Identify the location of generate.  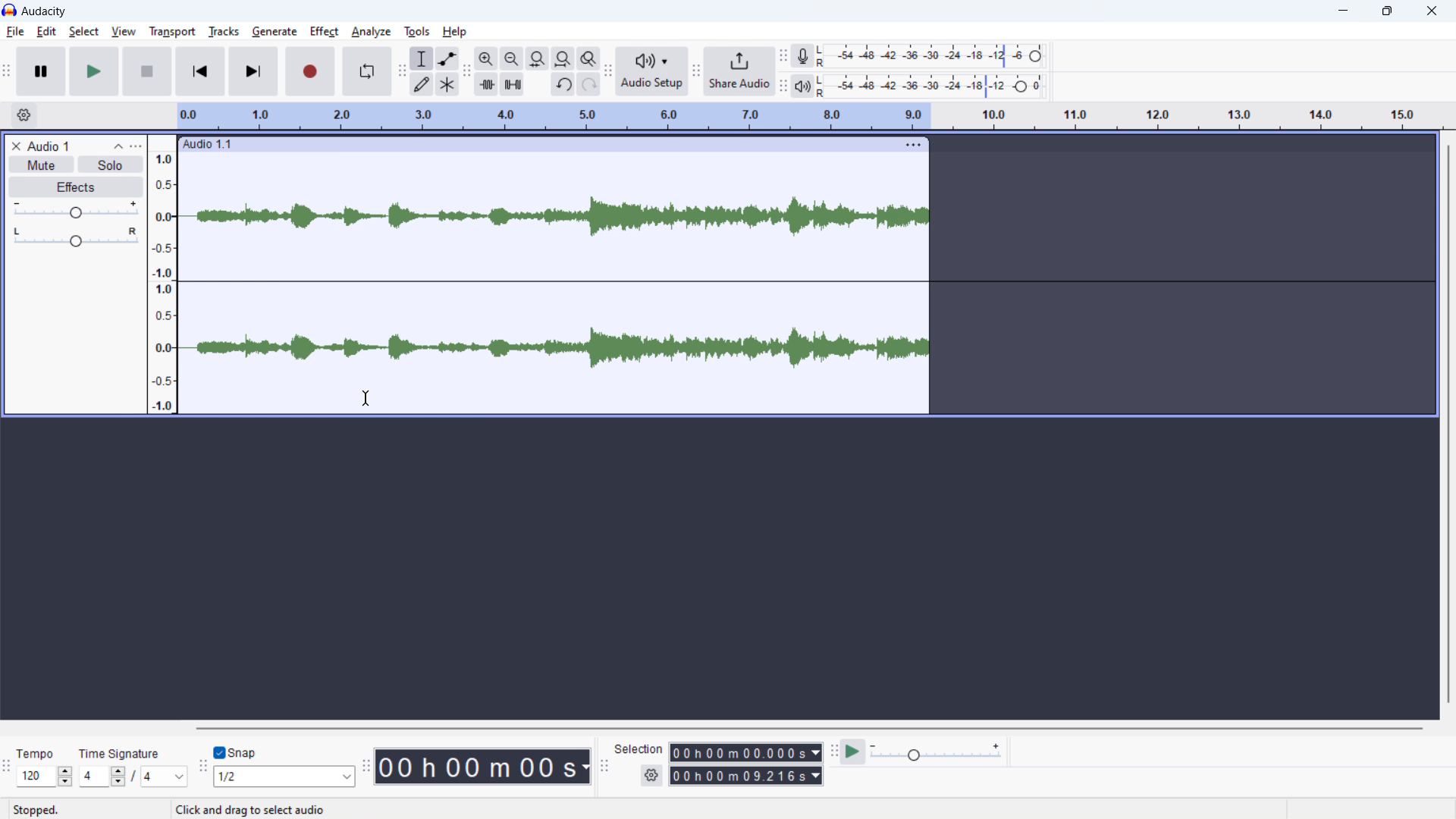
(275, 32).